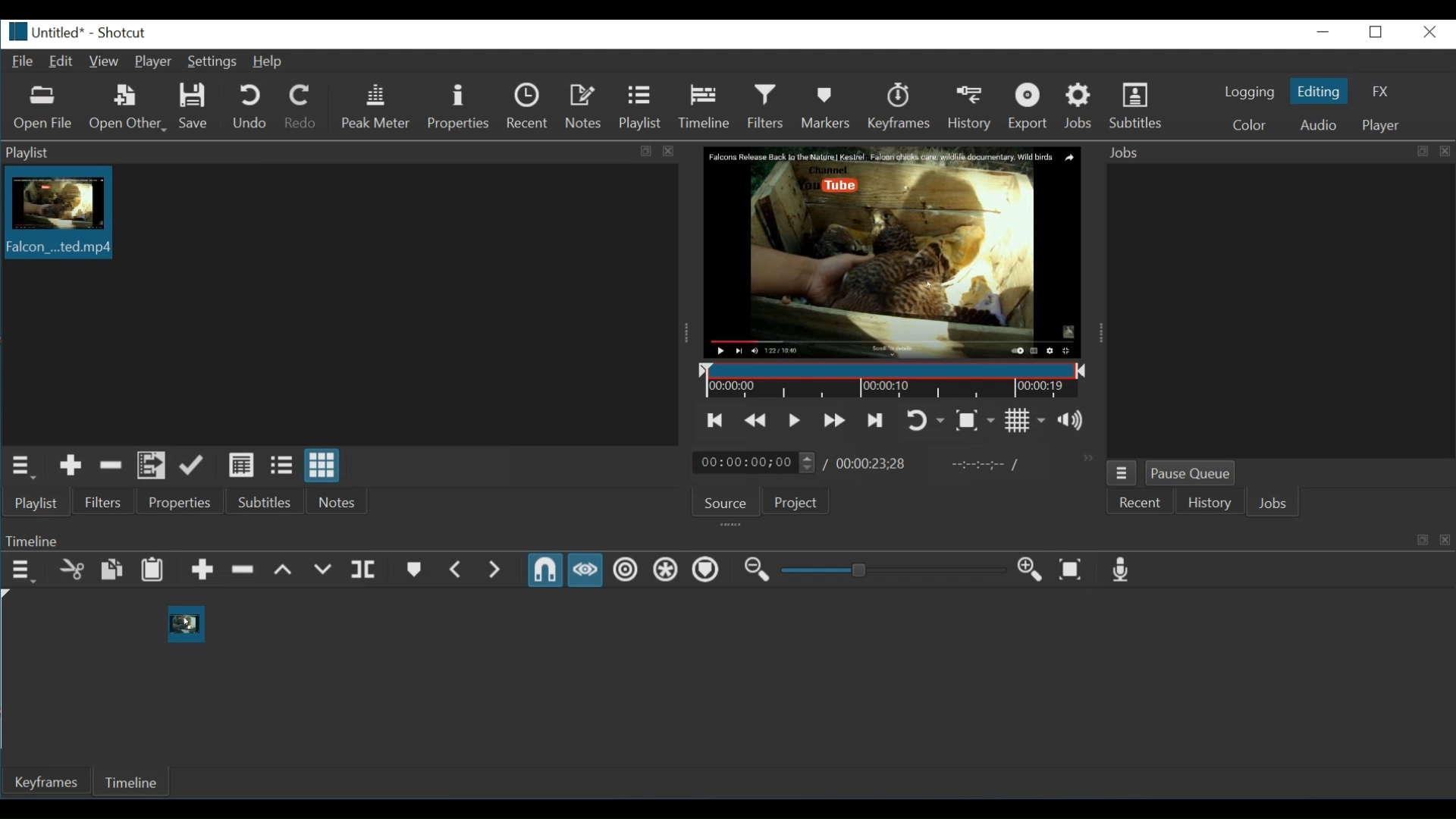 The image size is (1456, 819). Describe the element at coordinates (149, 466) in the screenshot. I see `Add files to the playlist` at that location.